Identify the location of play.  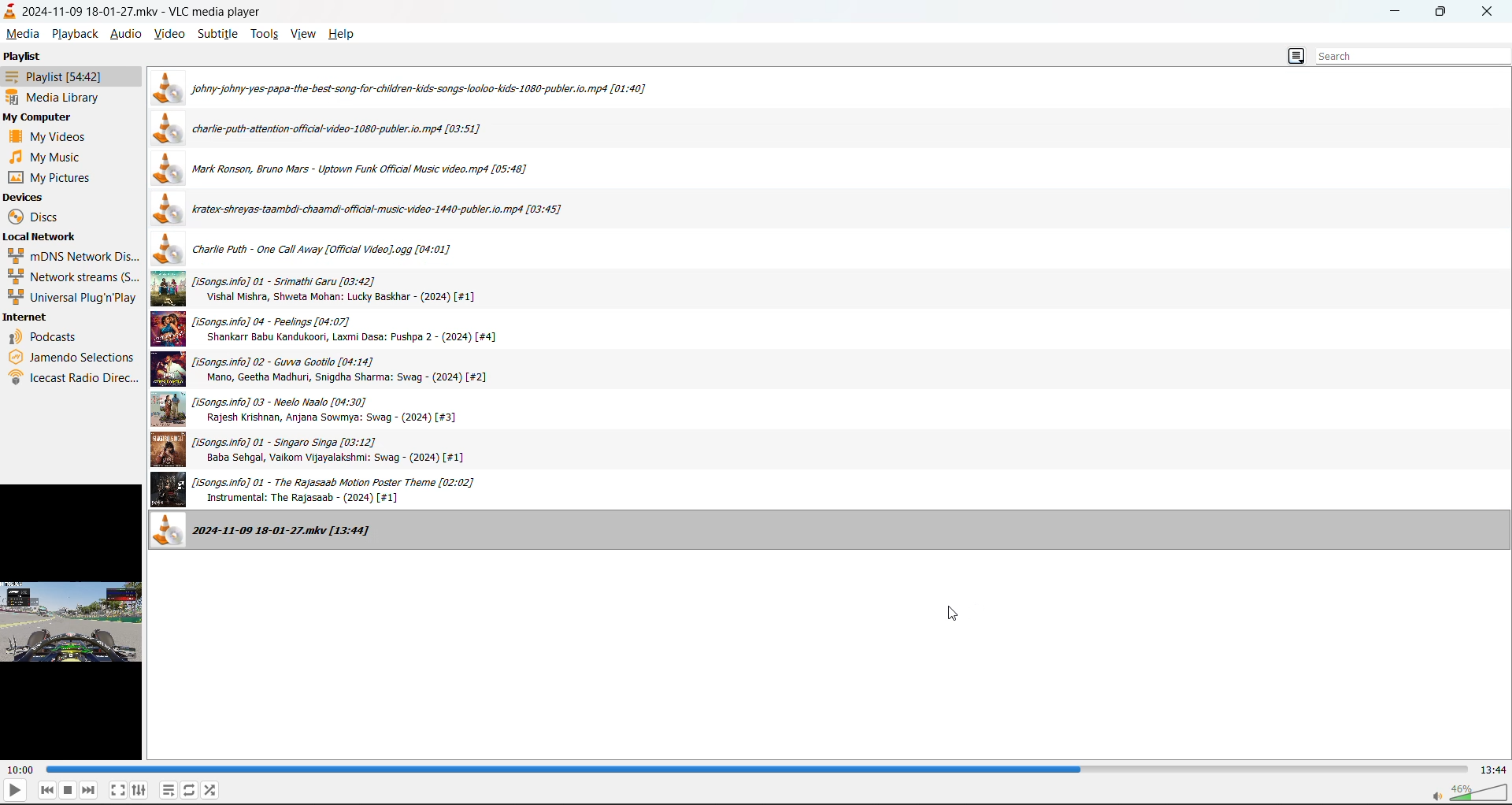
(15, 791).